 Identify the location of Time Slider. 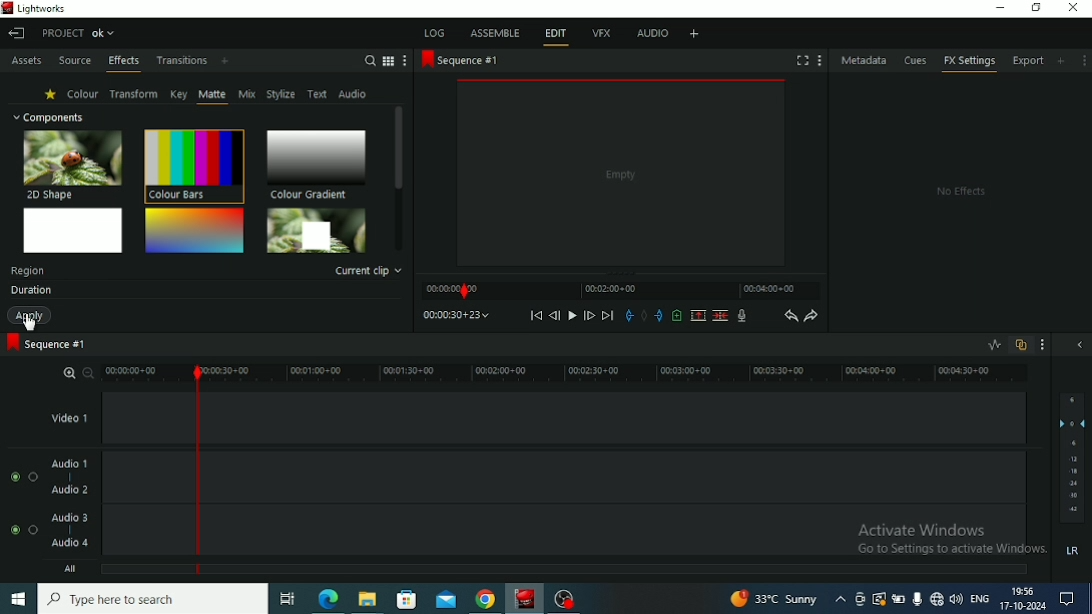
(620, 290).